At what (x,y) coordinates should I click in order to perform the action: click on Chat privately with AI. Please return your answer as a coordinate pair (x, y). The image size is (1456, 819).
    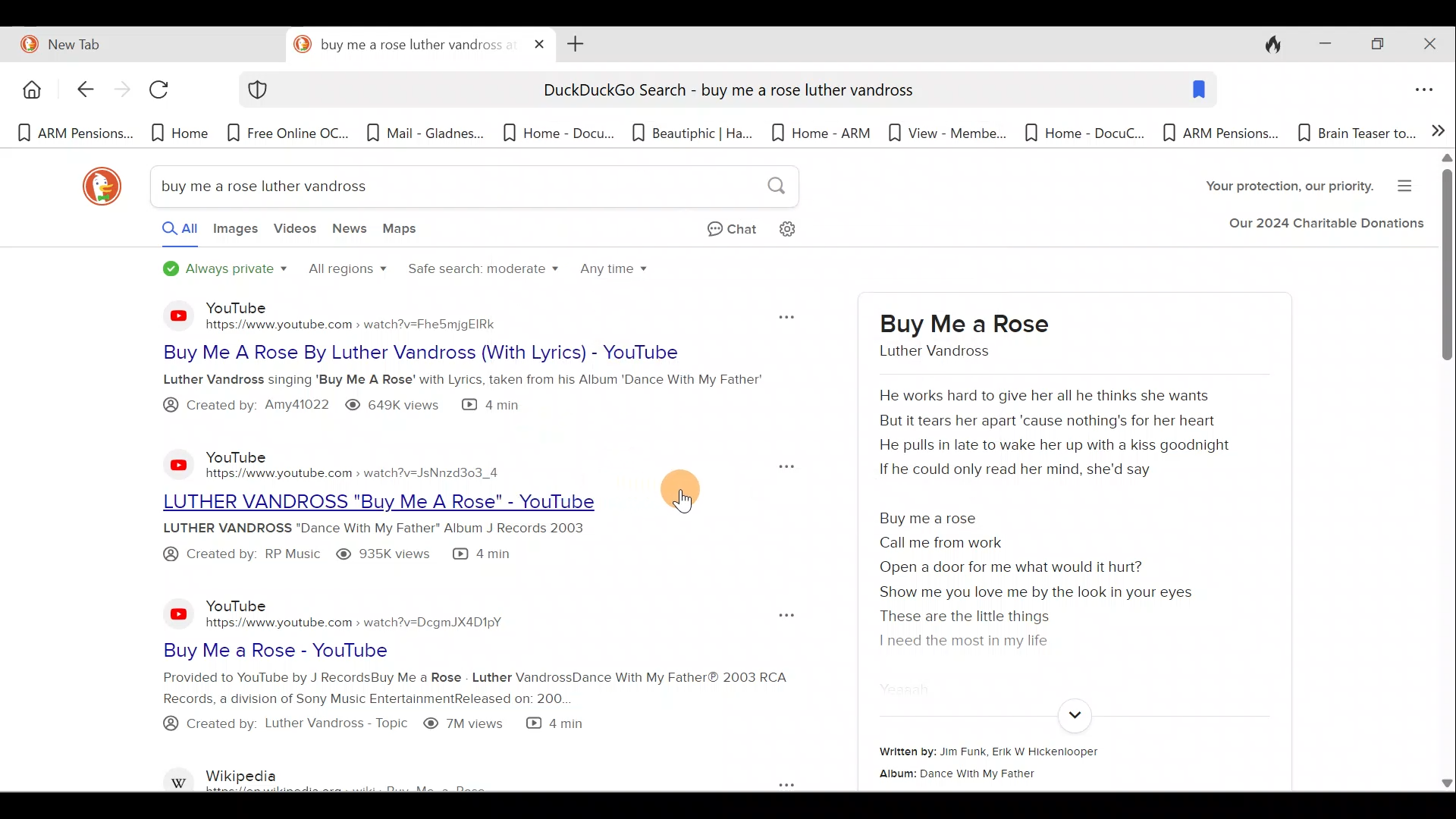
    Looking at the image, I should click on (720, 231).